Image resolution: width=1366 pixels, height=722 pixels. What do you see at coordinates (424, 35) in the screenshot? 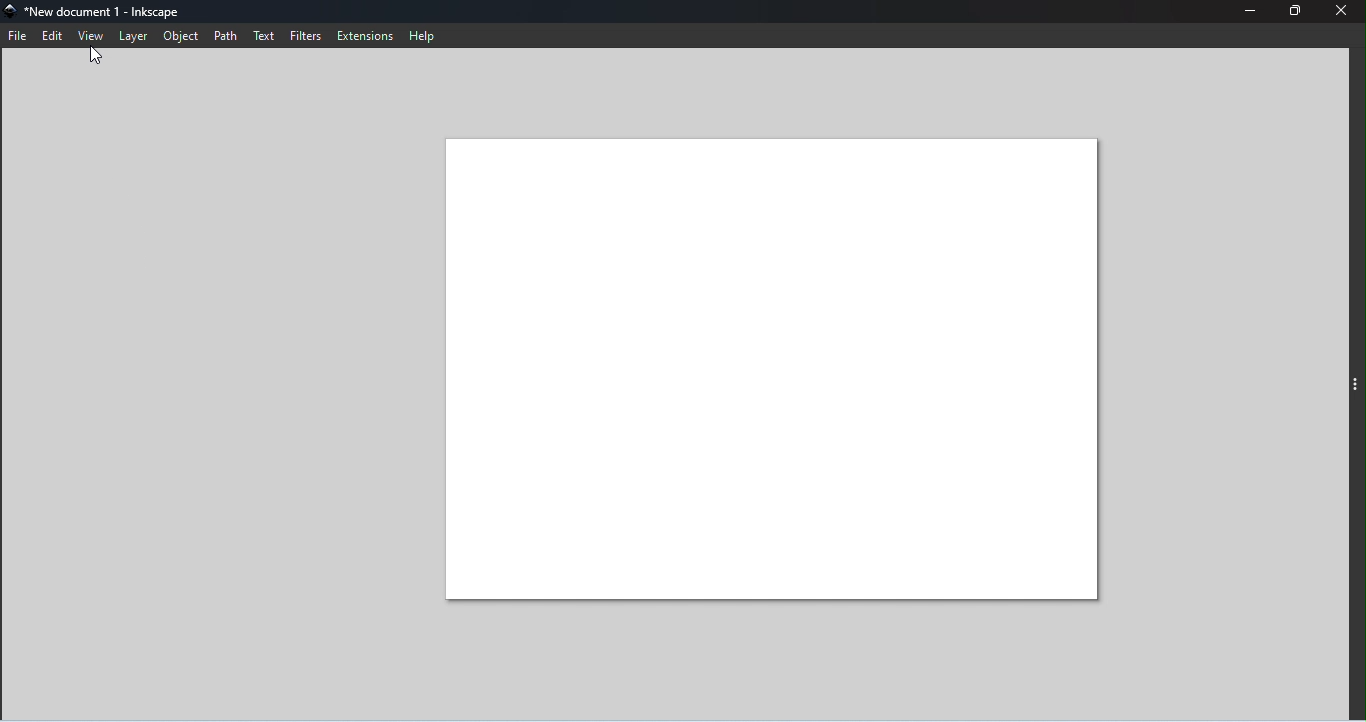
I see `Help` at bounding box center [424, 35].